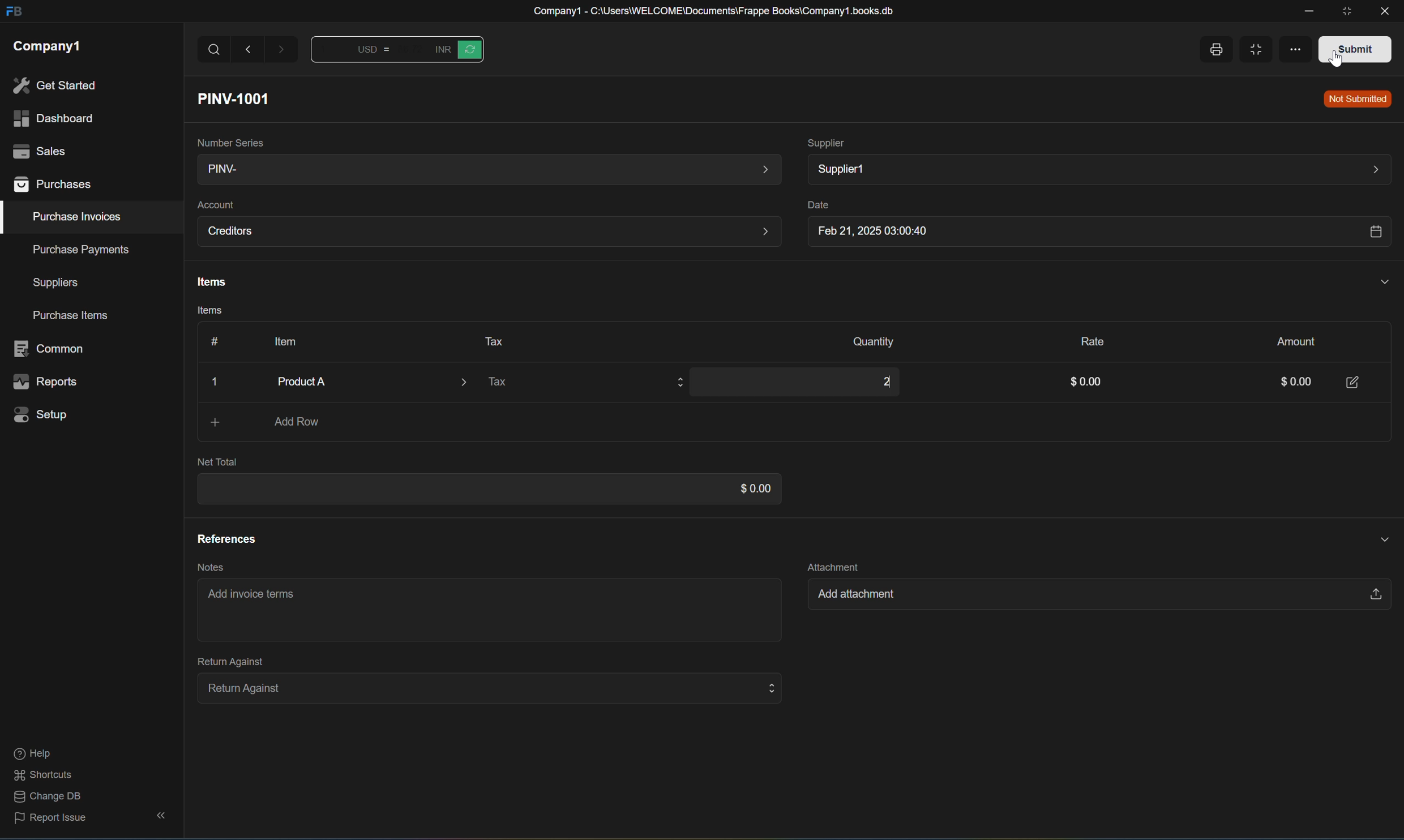 This screenshot has width=1404, height=840. I want to click on company1, so click(47, 45).